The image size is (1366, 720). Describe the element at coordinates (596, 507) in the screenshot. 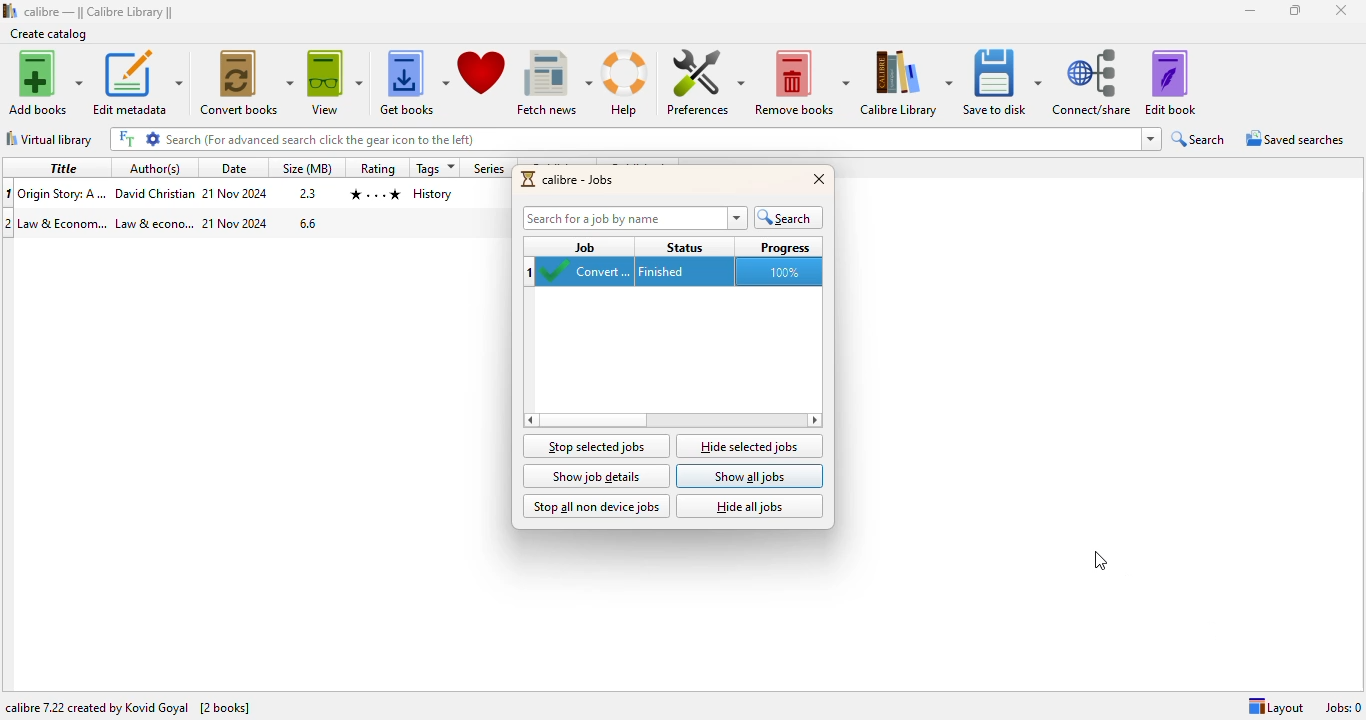

I see `stop all non device jobs` at that location.